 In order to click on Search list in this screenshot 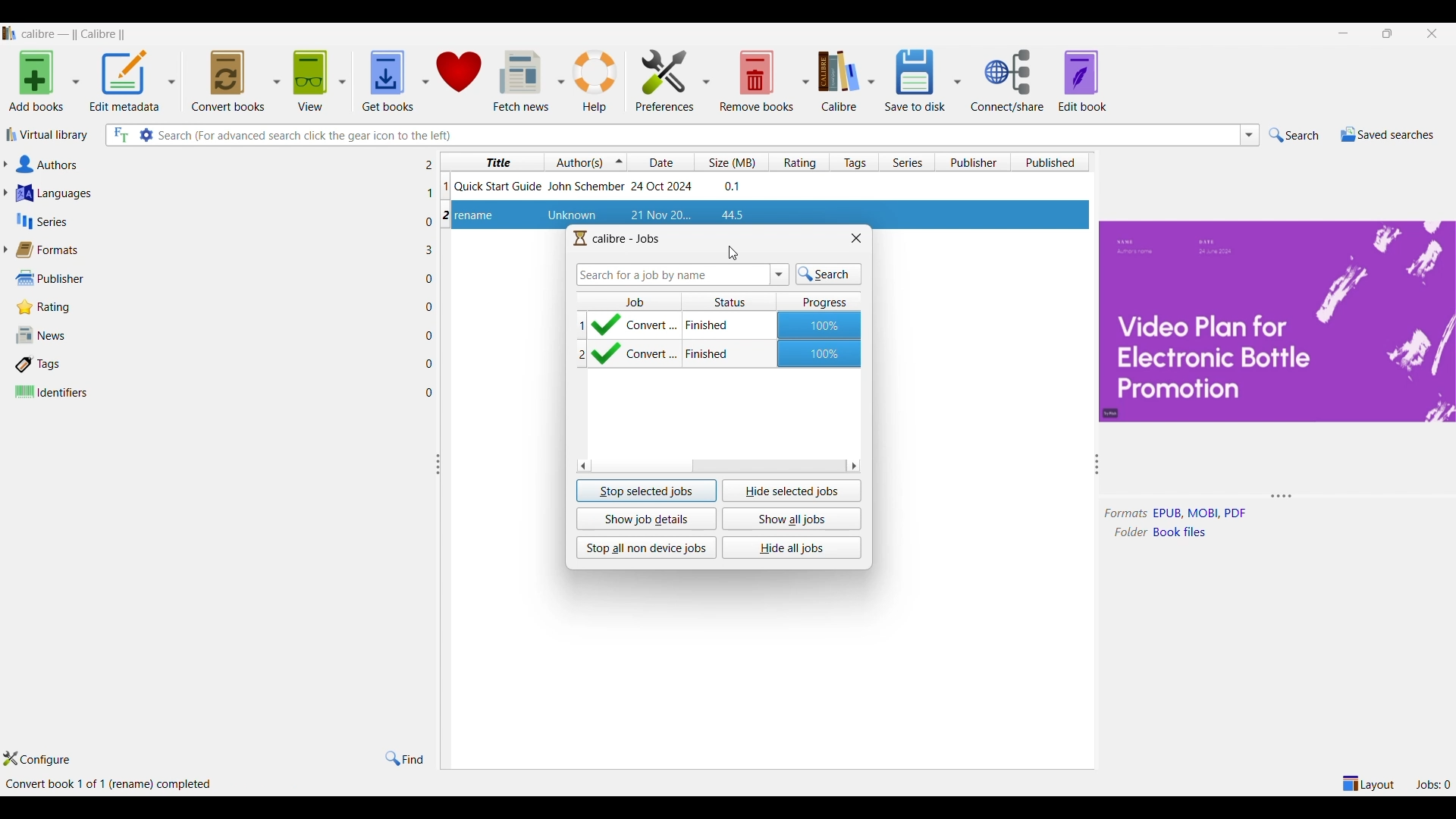, I will do `click(1250, 135)`.